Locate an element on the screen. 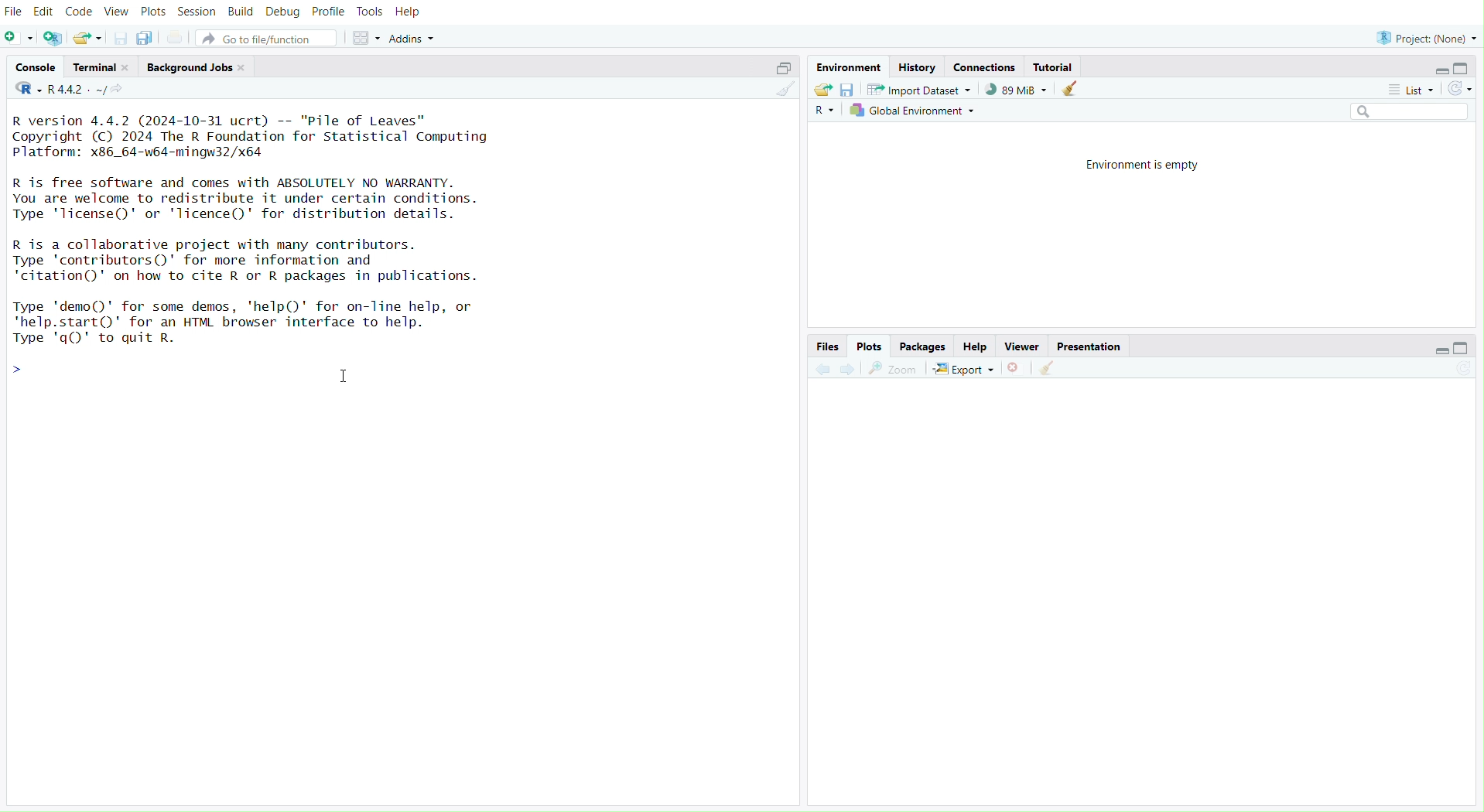 This screenshot has width=1484, height=812. R version 4.4.2 (2024-10-31 ucrt) -- "Pile of Leaves”
Copyright (C) 2024 The R Foundation for Statistical Computing
Platform: x86_64-w64-mingw32/x64

R is free software and comes with ABSOLUTELY NO WARRANTY.
You are welcome to redistribute it under certain conditions.
Type 'license()' or 'licence()' for distribution details.

R is a collaborative project with many contributors.

Type 'contributors()' for more information and

'citation()' on how to cite R or R packages in publications.
Type 'demo()' for some demos, 'help()' for on-Tine help, or
'help.start()"' for an HTML browser interface to help.

Twoe 'a()' to auit R. is located at coordinates (264, 223).